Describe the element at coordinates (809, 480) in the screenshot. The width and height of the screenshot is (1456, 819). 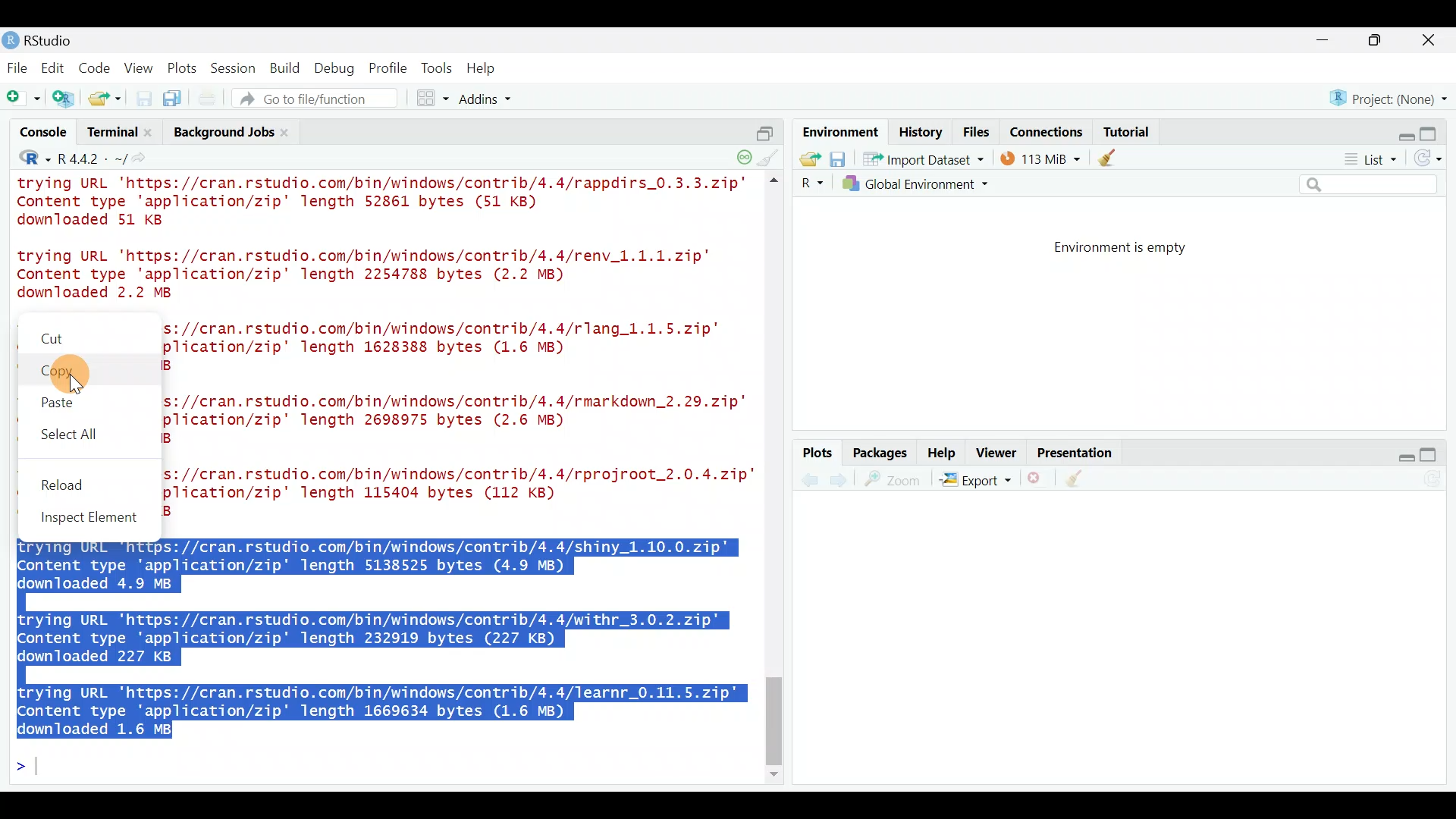
I see `next plot` at that location.